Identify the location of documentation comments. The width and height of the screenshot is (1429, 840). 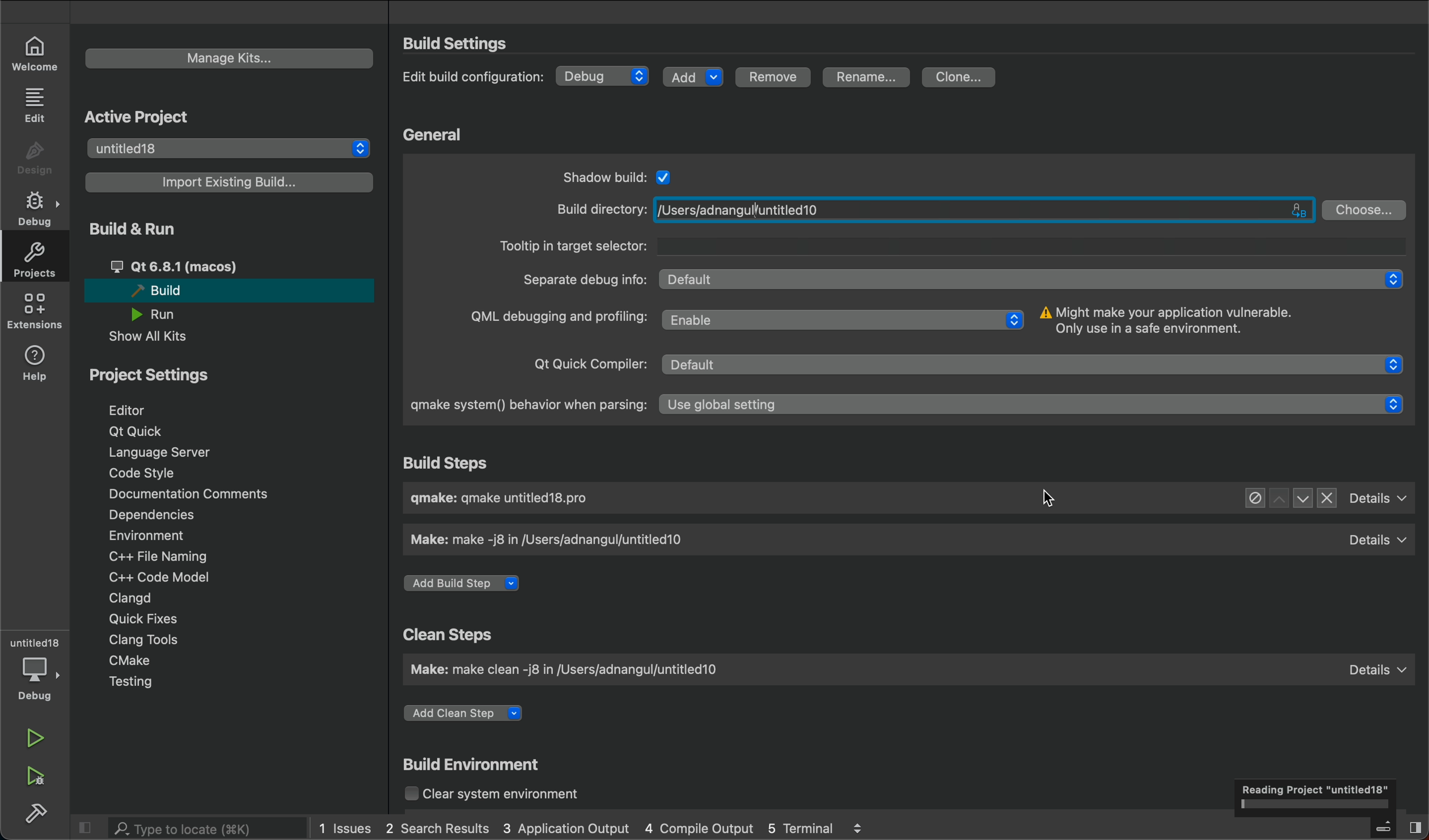
(205, 495).